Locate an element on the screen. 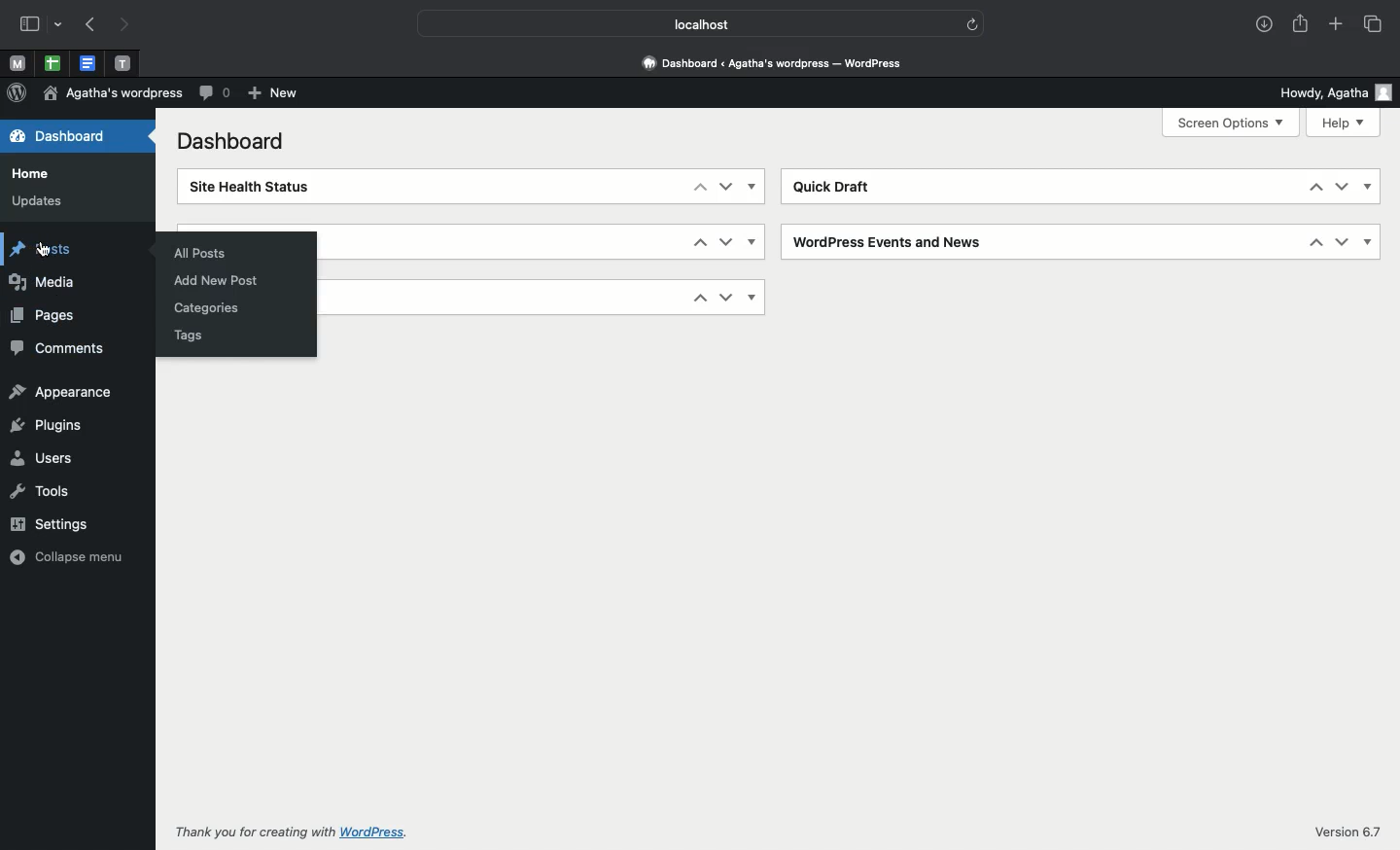 This screenshot has width=1400, height=850. Previous page is located at coordinates (89, 25).